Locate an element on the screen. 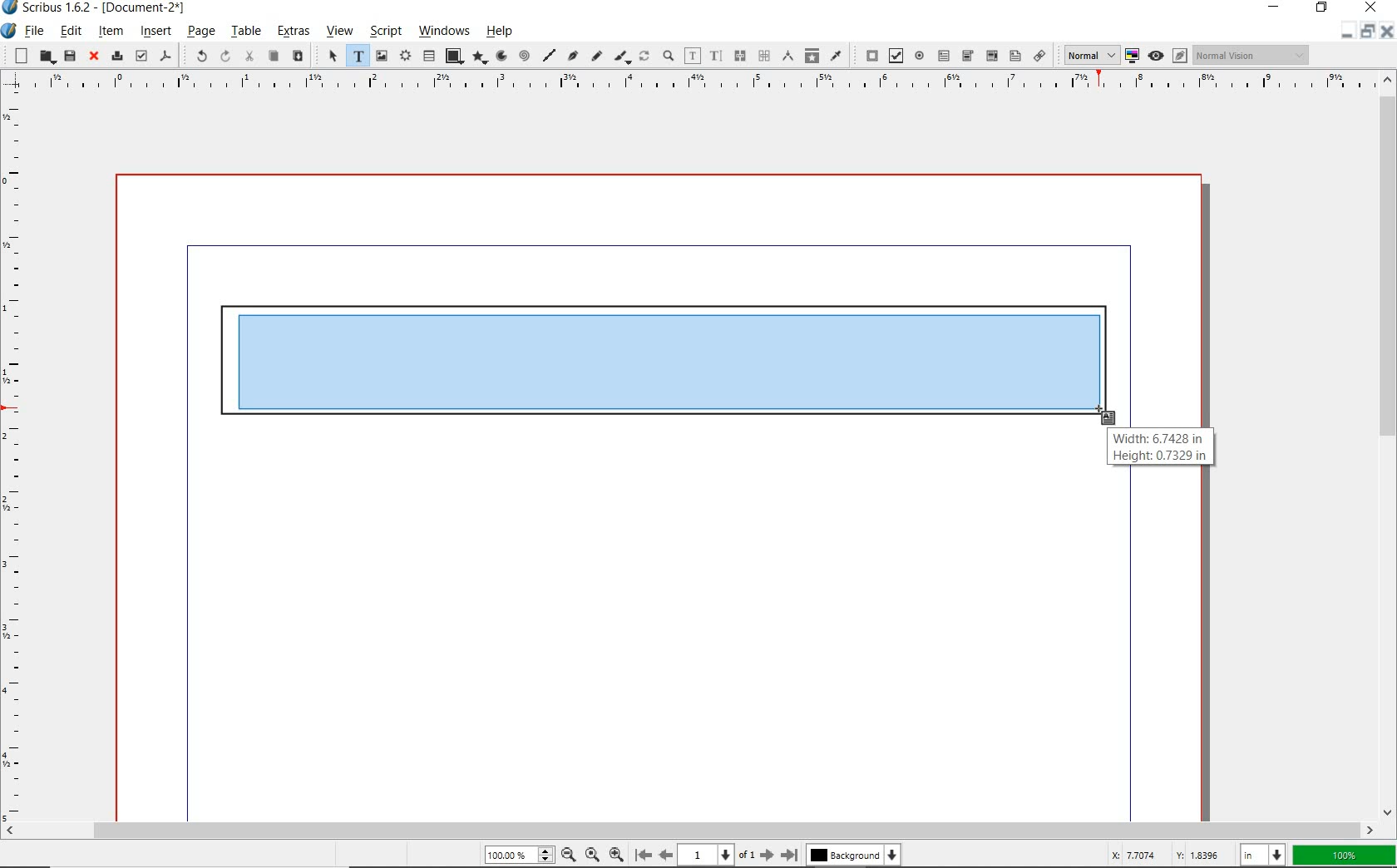 The height and width of the screenshot is (868, 1397). calligraphic line is located at coordinates (623, 57).